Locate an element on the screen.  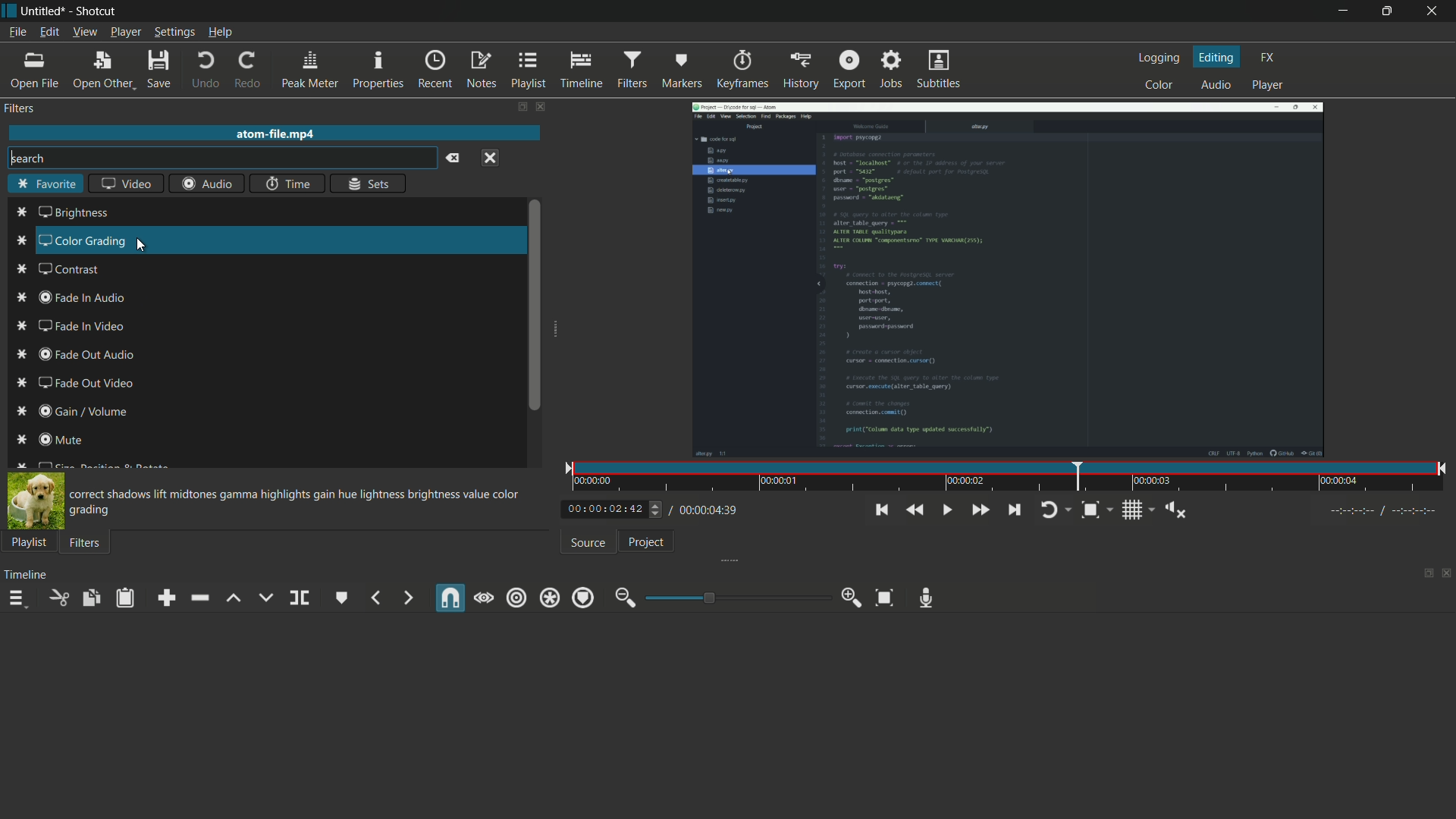
adjustment bar is located at coordinates (734, 598).